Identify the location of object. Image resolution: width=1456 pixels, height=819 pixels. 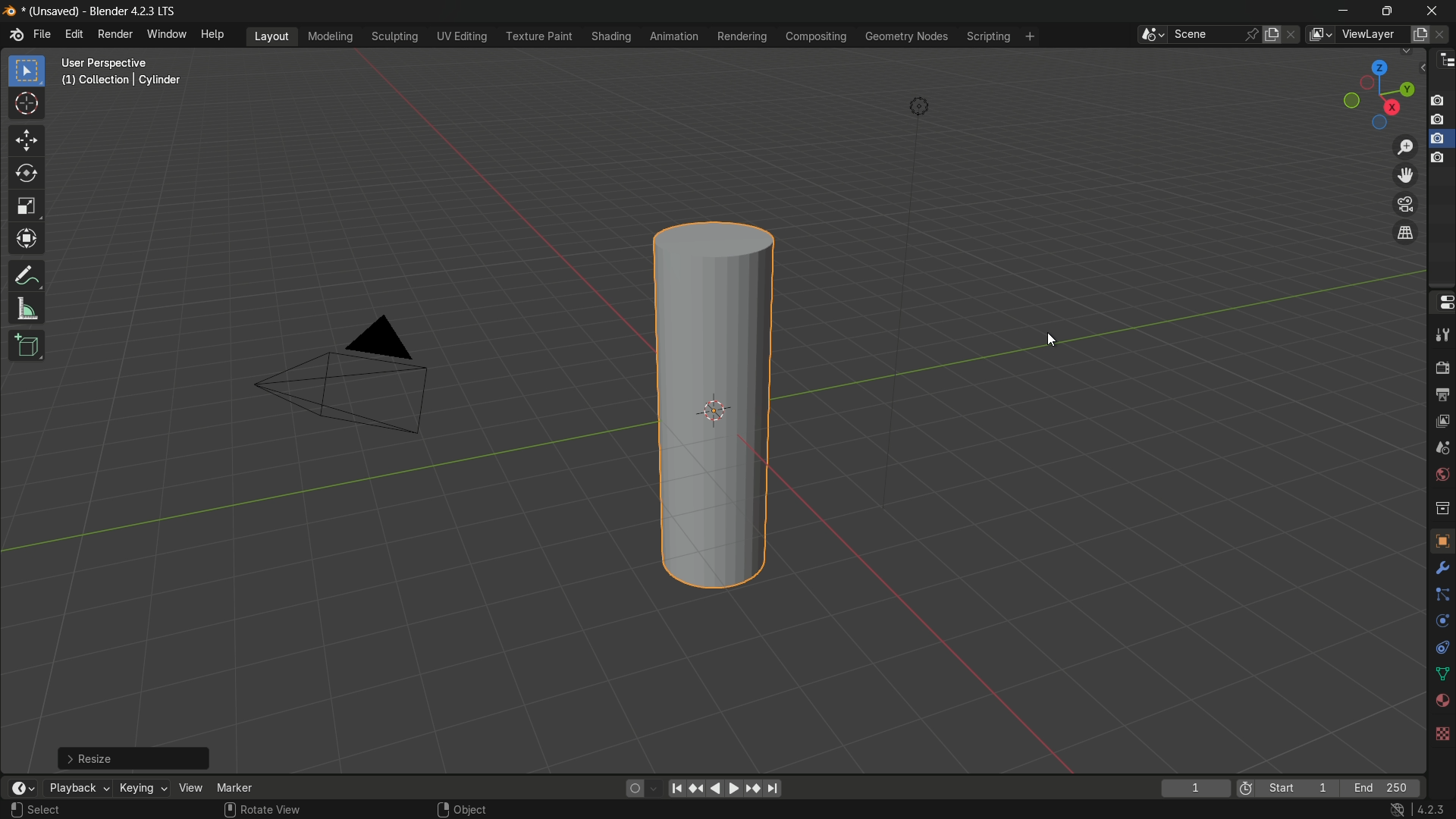
(1442, 540).